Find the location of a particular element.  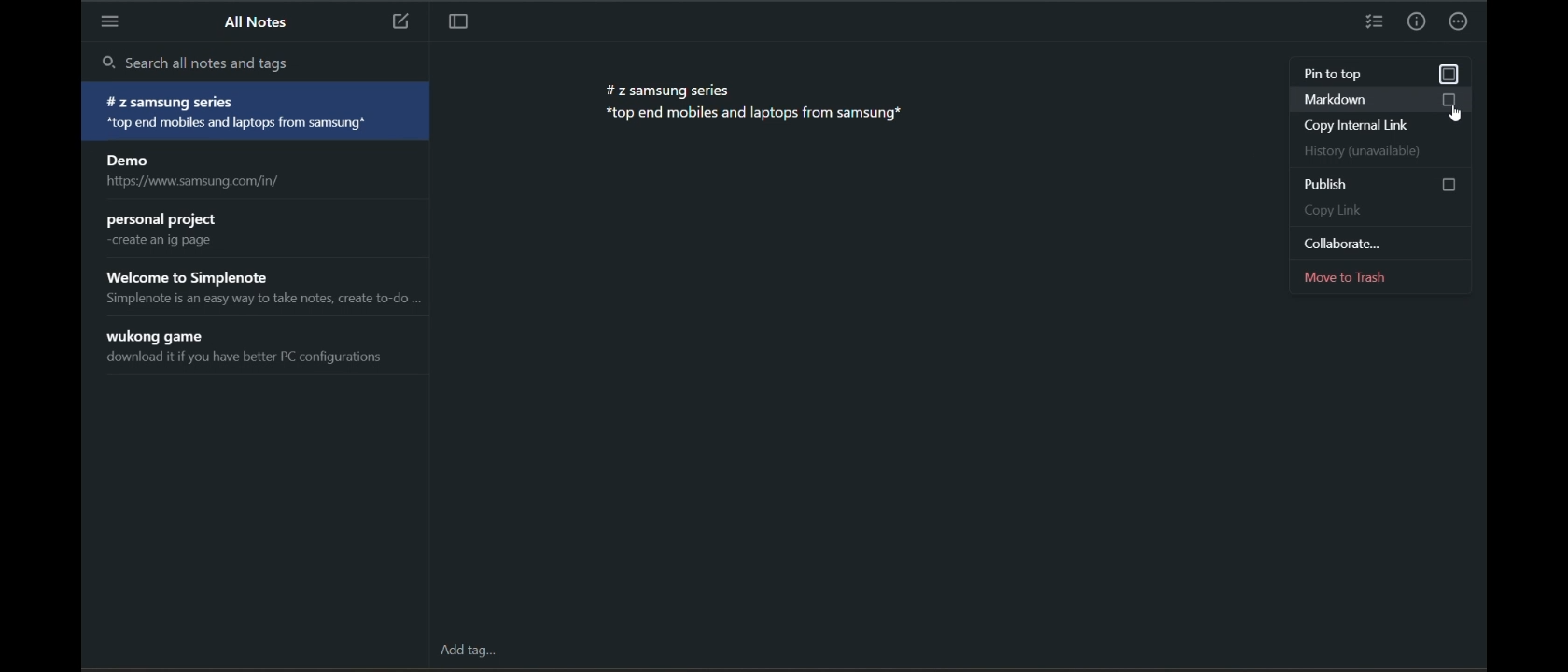

search all notes and tags is located at coordinates (263, 63).